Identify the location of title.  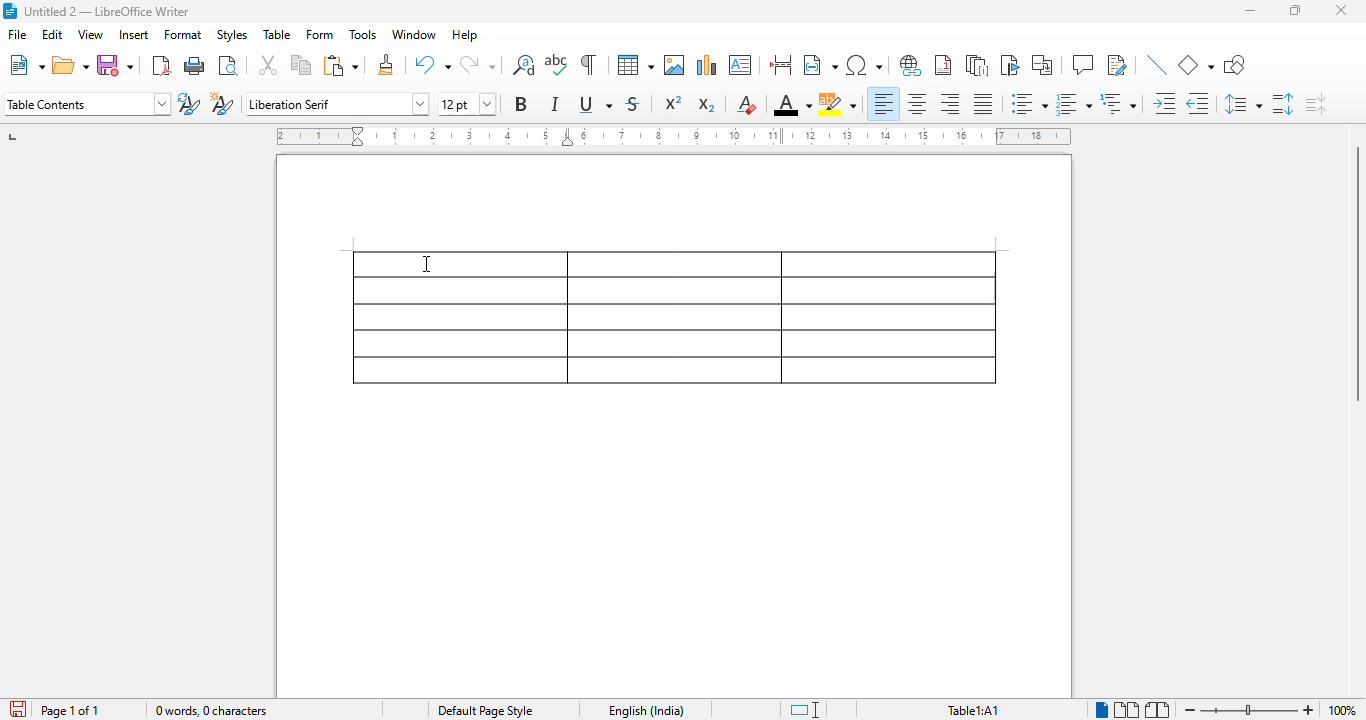
(107, 12).